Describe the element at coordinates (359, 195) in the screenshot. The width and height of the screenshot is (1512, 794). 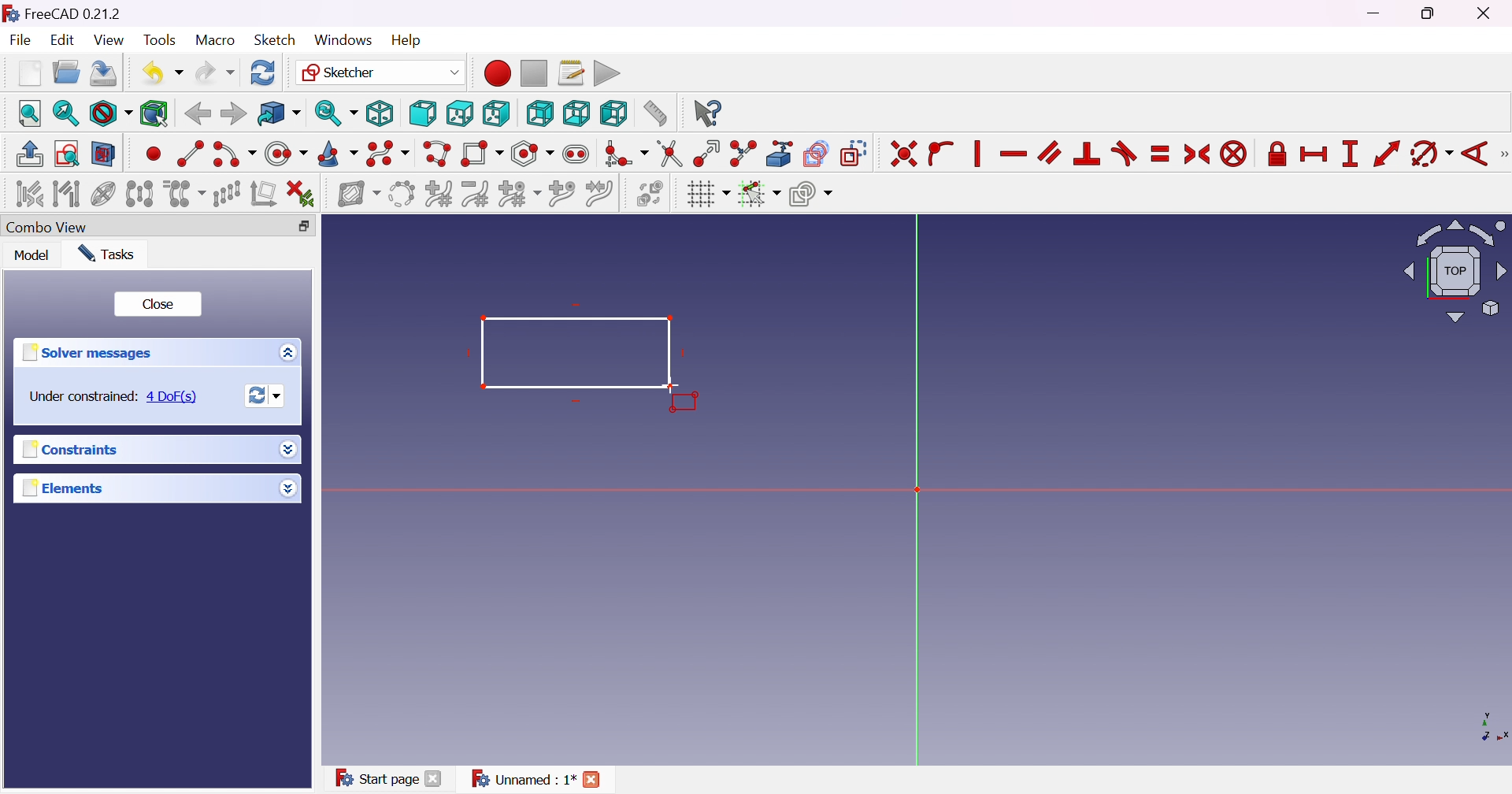
I see `Show/hide B-spline information layer` at that location.